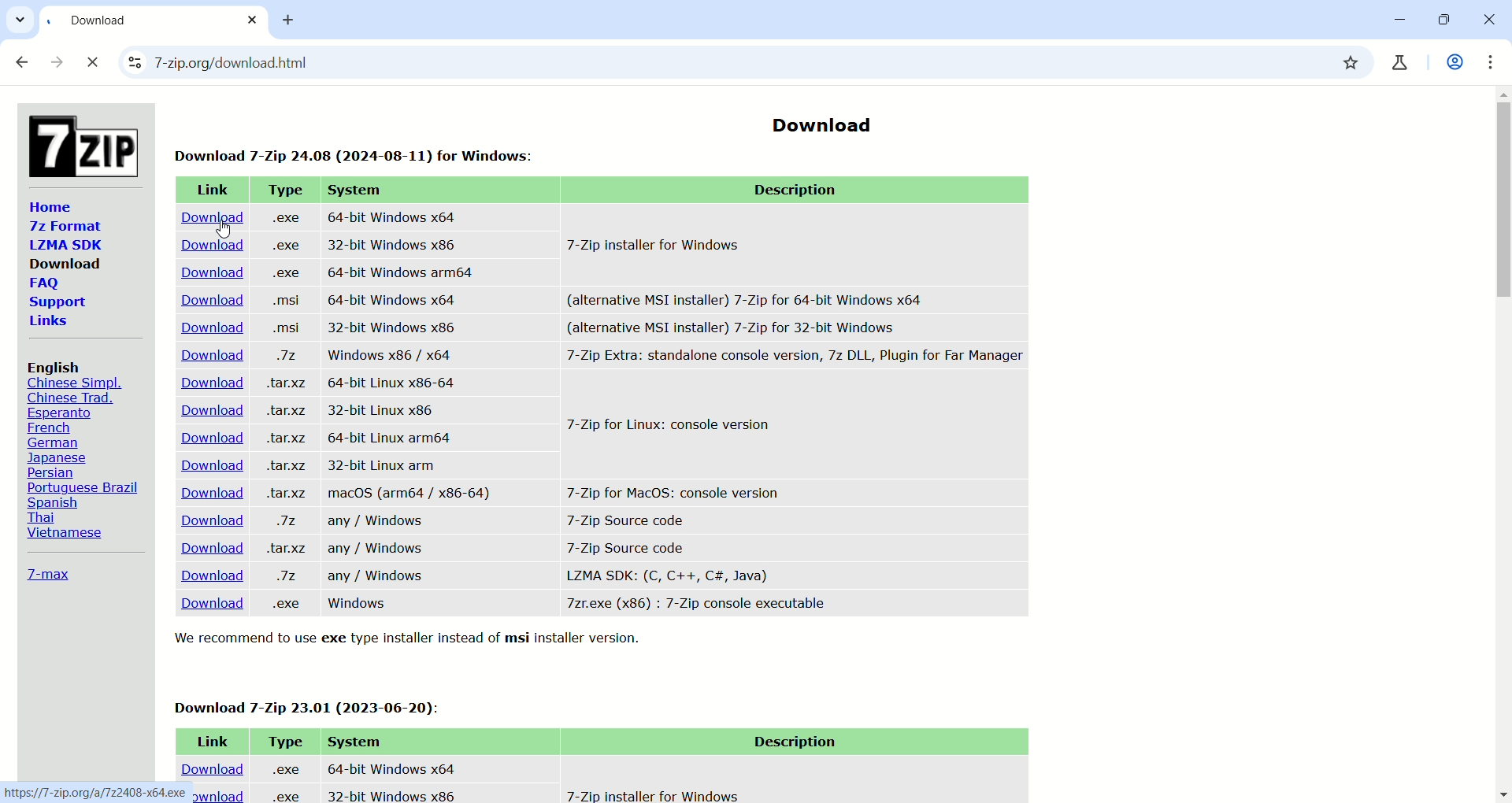  What do you see at coordinates (1496, 61) in the screenshot?
I see `customize and control chromium` at bounding box center [1496, 61].